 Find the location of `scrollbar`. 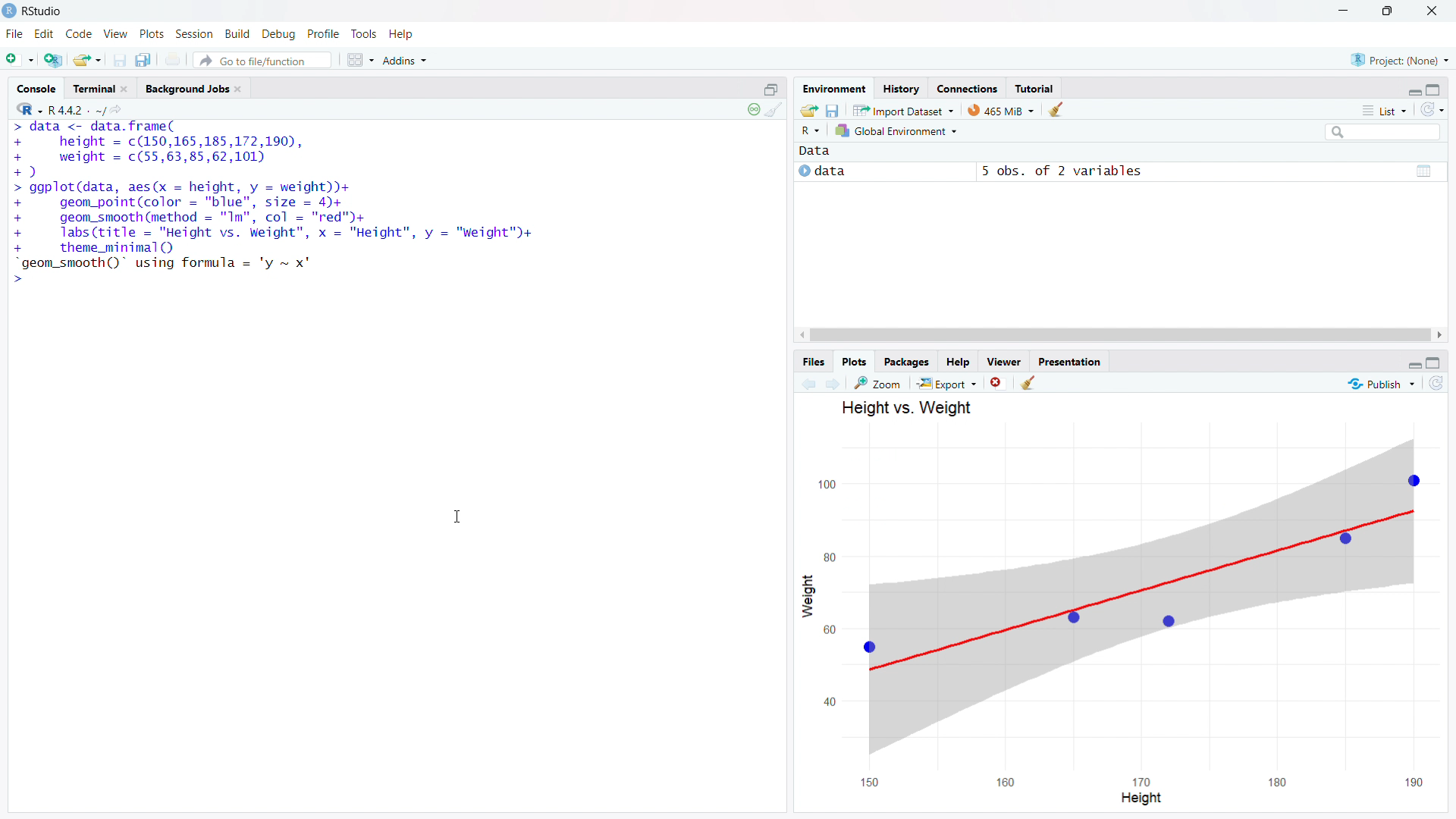

scrollbar is located at coordinates (1119, 336).